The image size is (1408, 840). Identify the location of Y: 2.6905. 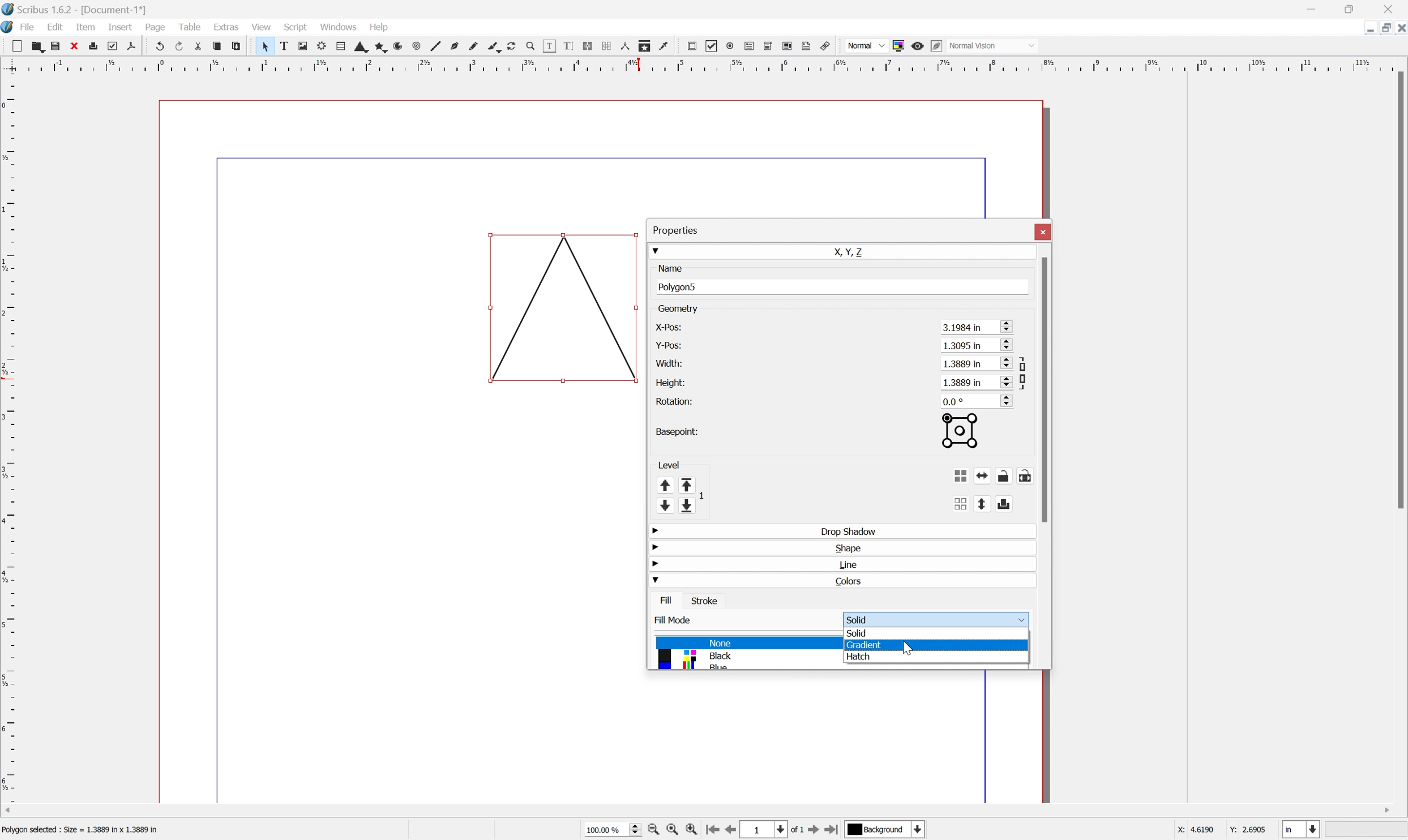
(1248, 830).